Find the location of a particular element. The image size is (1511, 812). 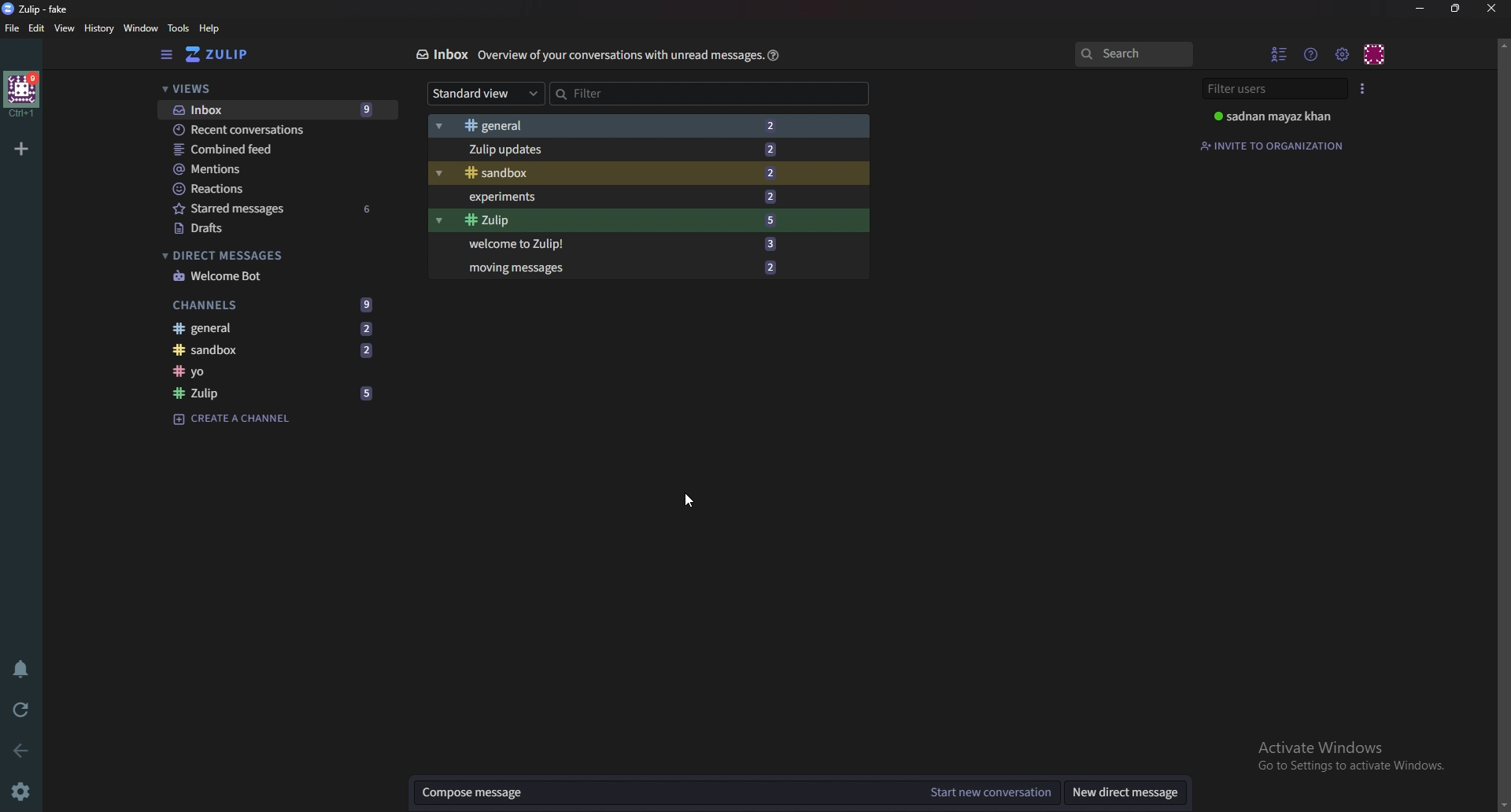

Scroll bar is located at coordinates (1502, 423).